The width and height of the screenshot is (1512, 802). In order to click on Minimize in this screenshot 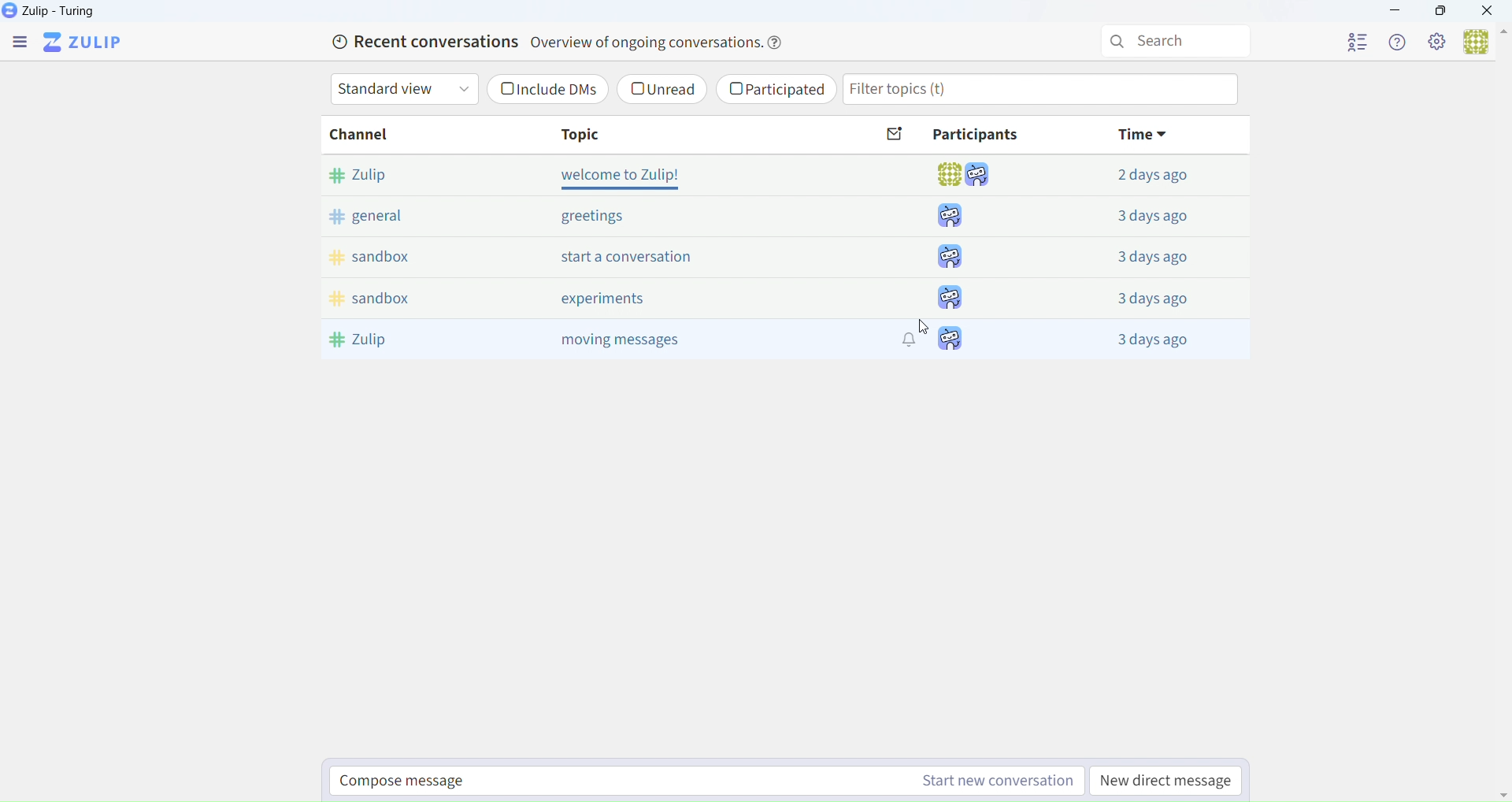, I will do `click(1392, 12)`.